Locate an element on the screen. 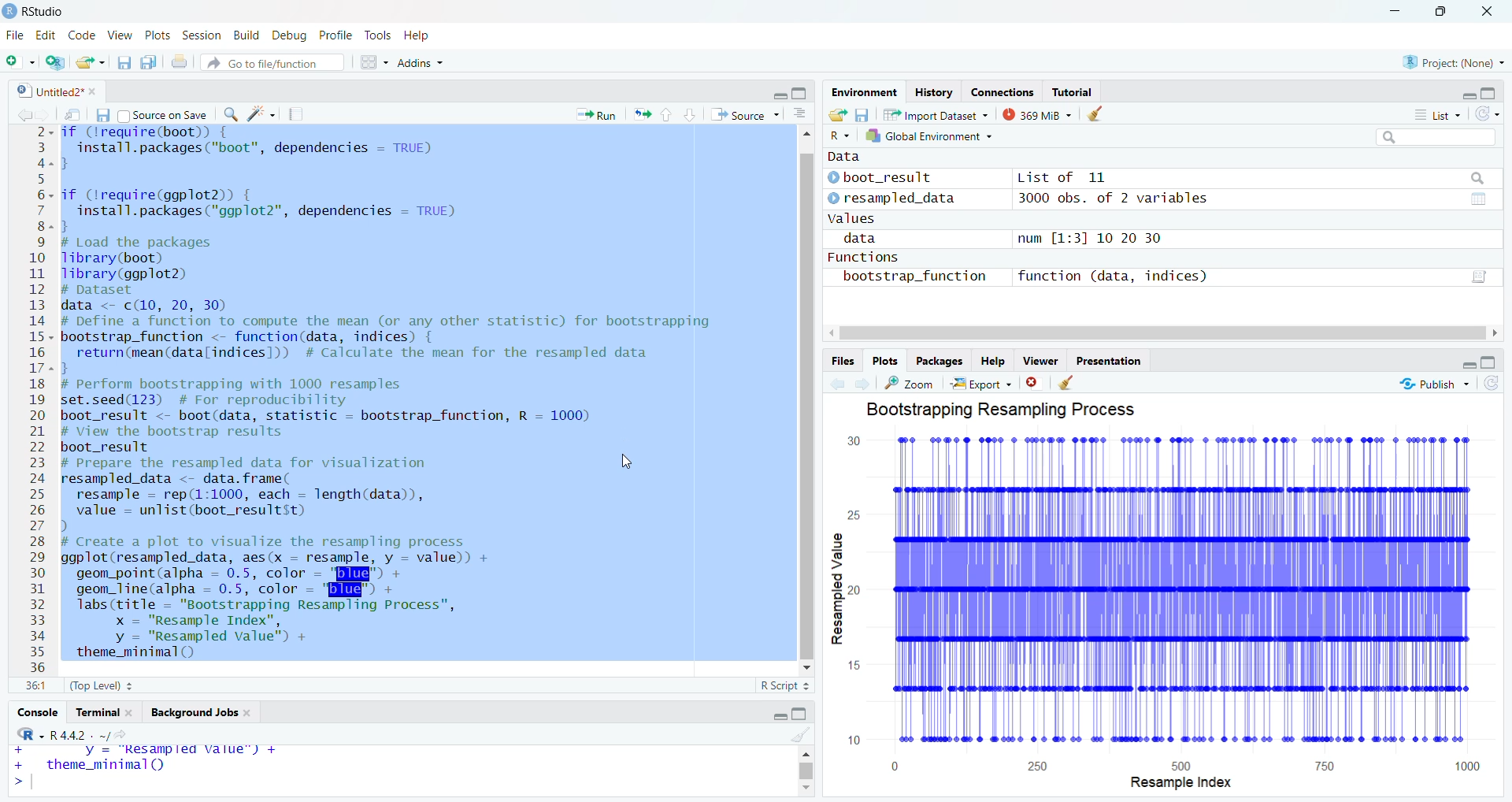  list of 11 is located at coordinates (1092, 177).